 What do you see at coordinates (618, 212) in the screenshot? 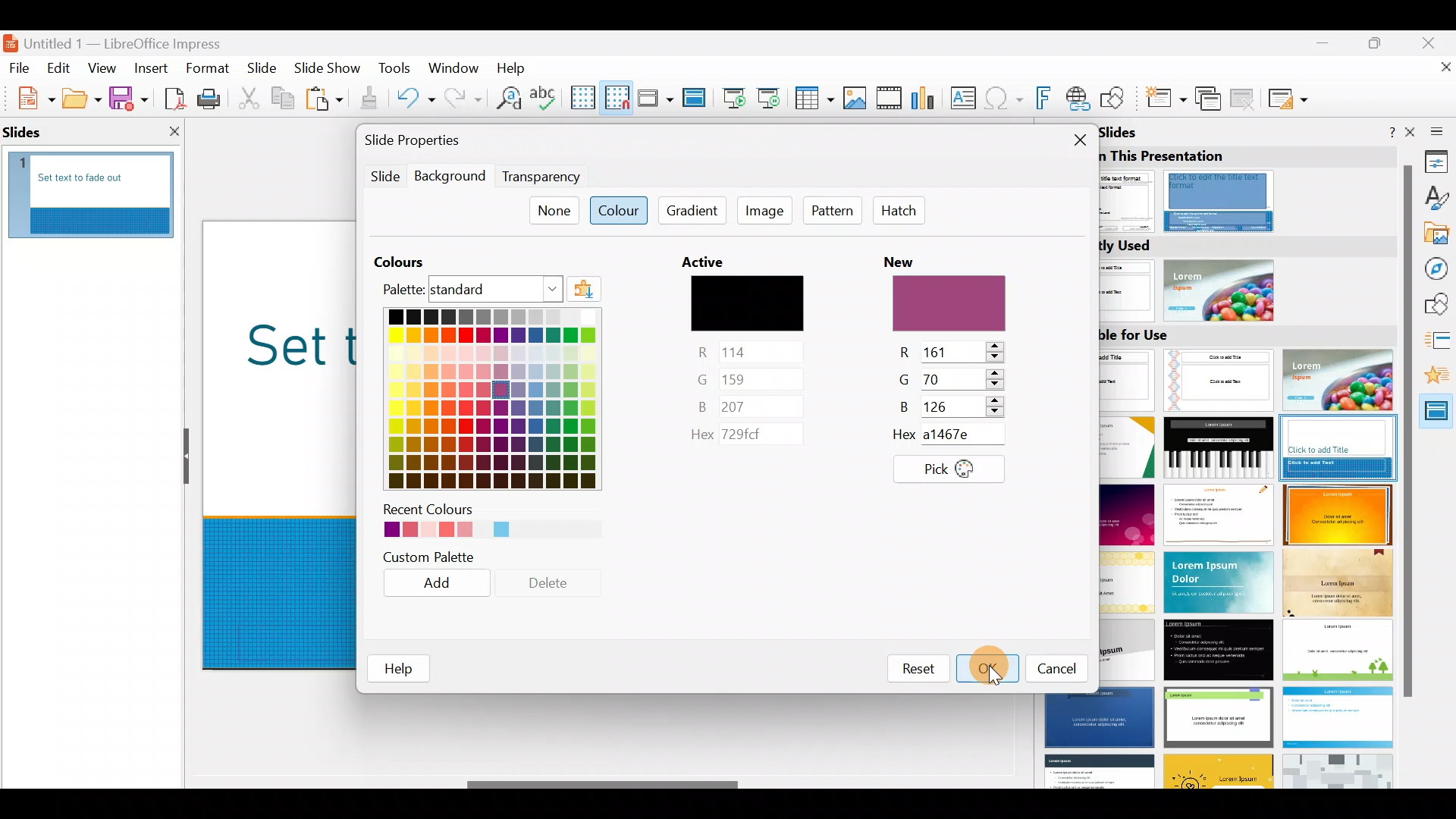
I see `Colour` at bounding box center [618, 212].